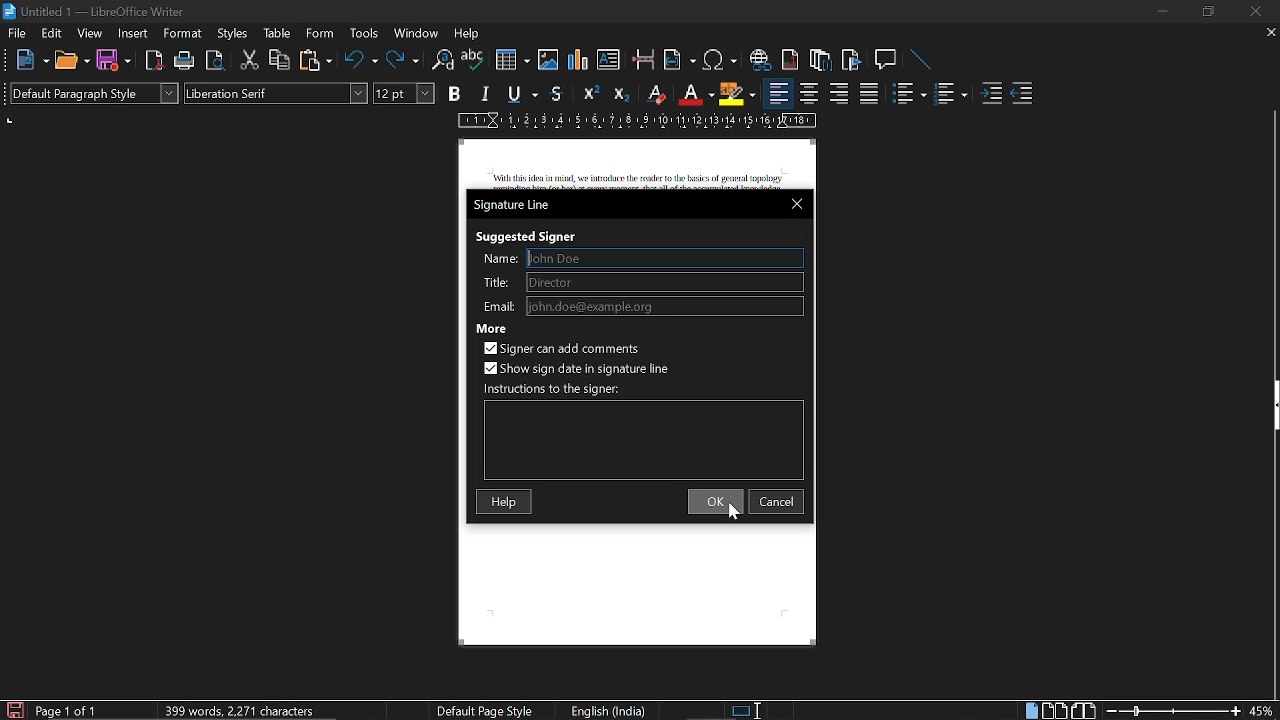 The height and width of the screenshot is (720, 1280). Describe the element at coordinates (1272, 407) in the screenshot. I see `sidebar view` at that location.